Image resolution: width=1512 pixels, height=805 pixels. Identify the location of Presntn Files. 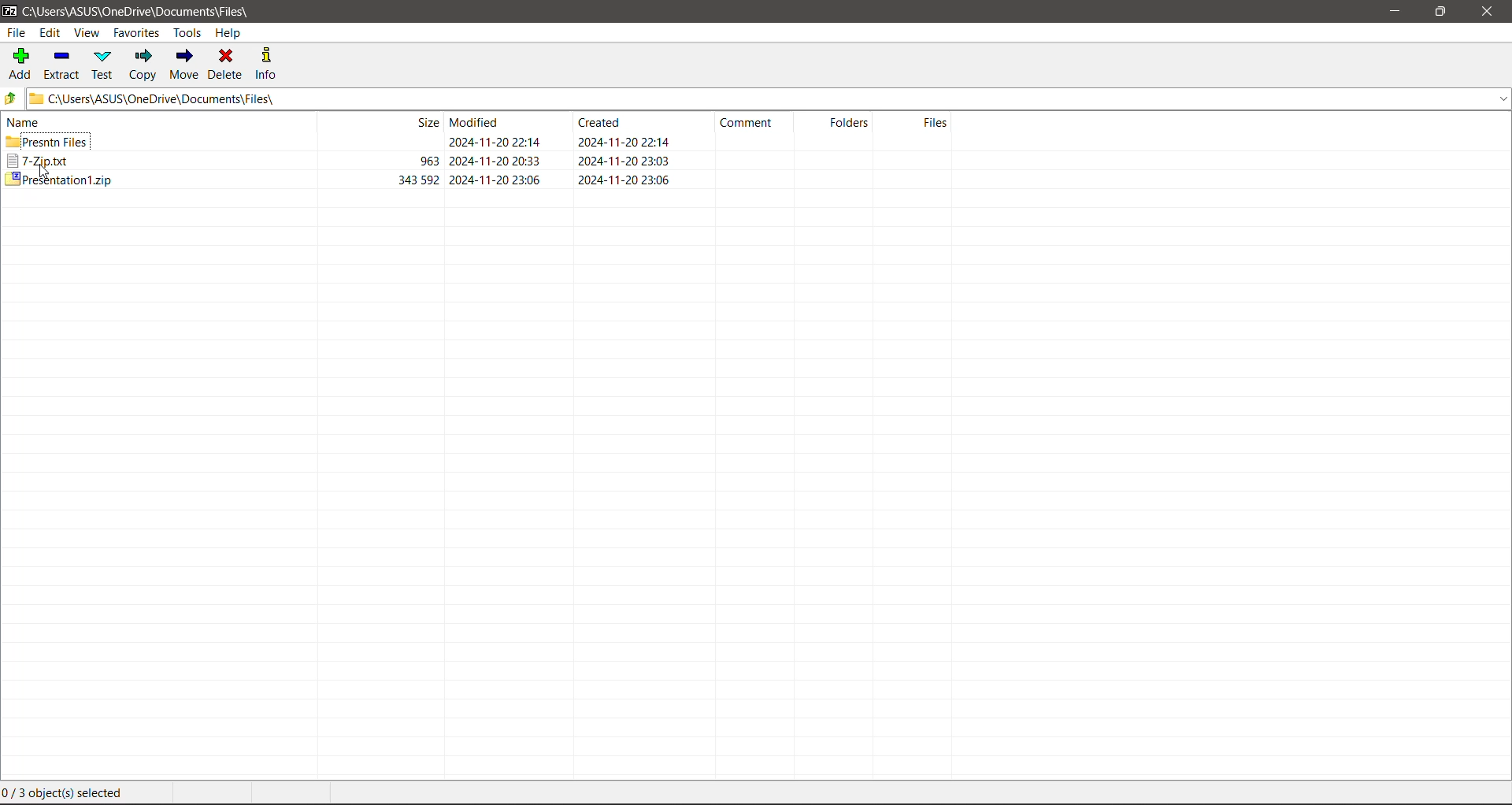
(48, 142).